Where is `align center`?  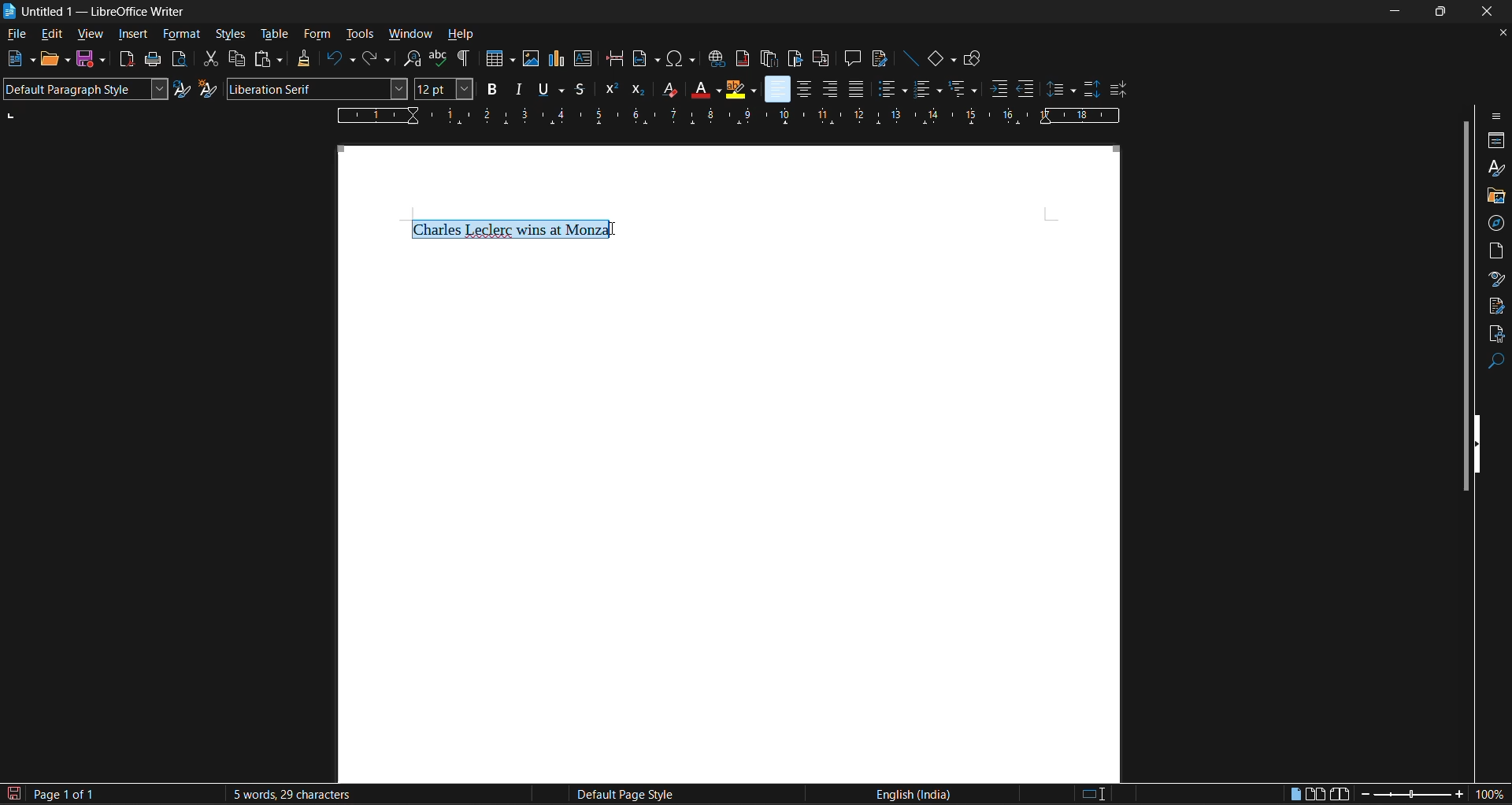 align center is located at coordinates (801, 91).